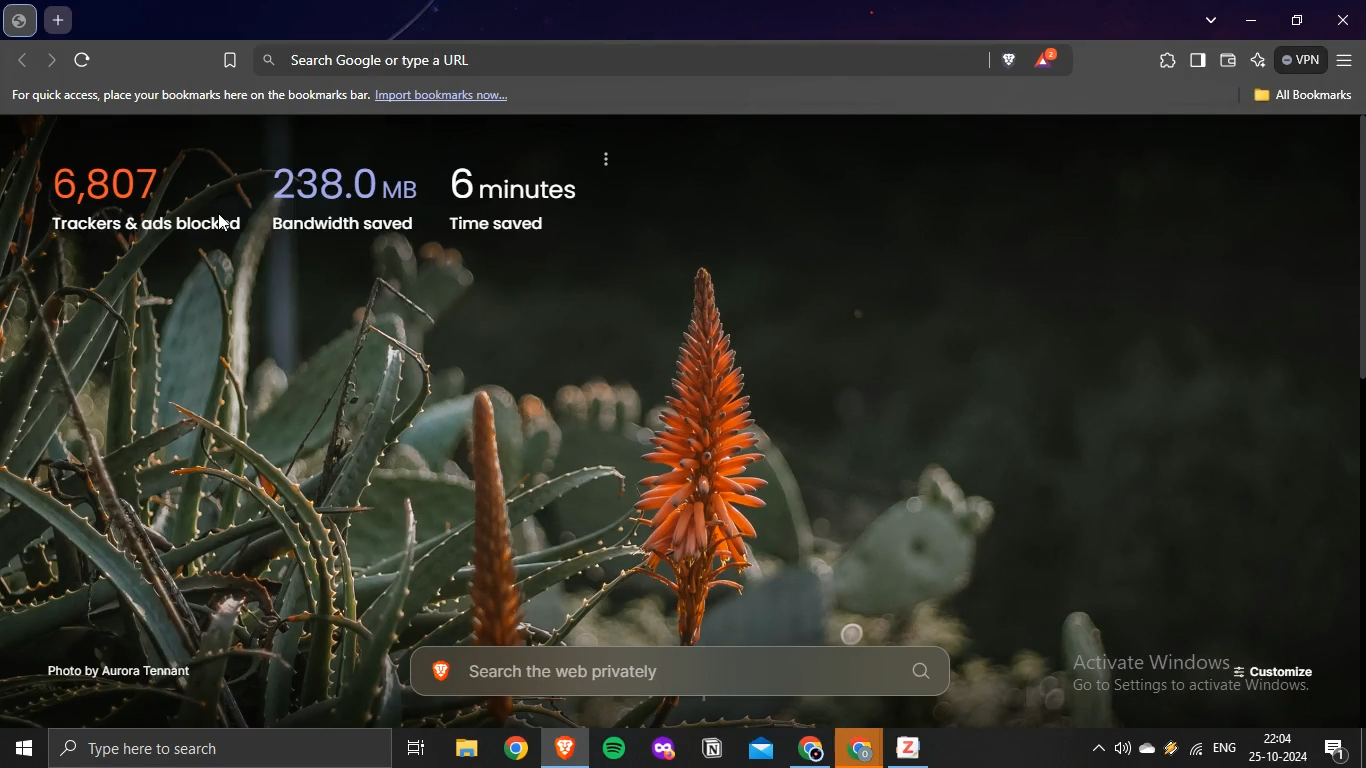  I want to click on close, so click(1344, 21).